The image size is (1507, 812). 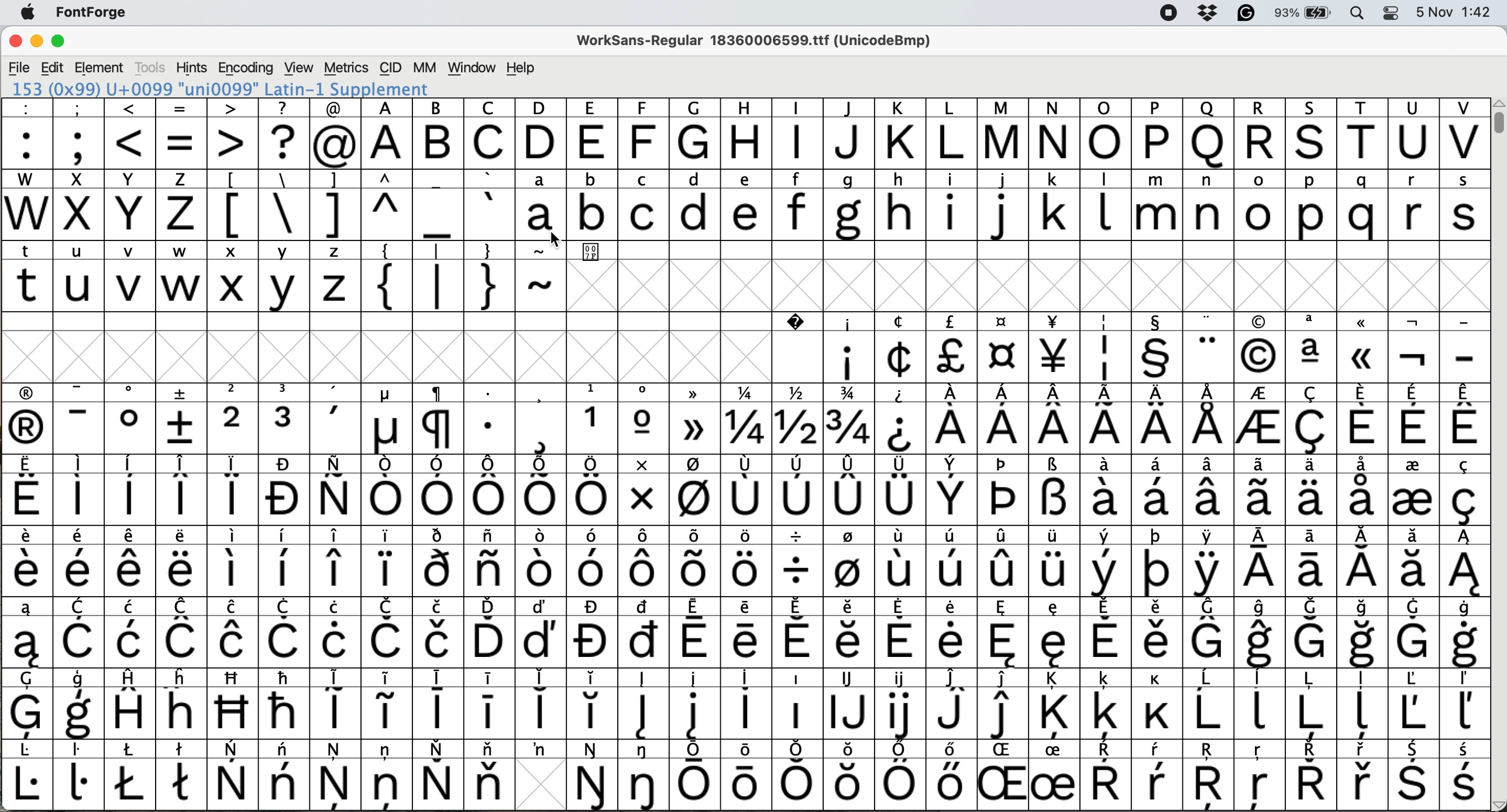 What do you see at coordinates (183, 773) in the screenshot?
I see `symbol` at bounding box center [183, 773].